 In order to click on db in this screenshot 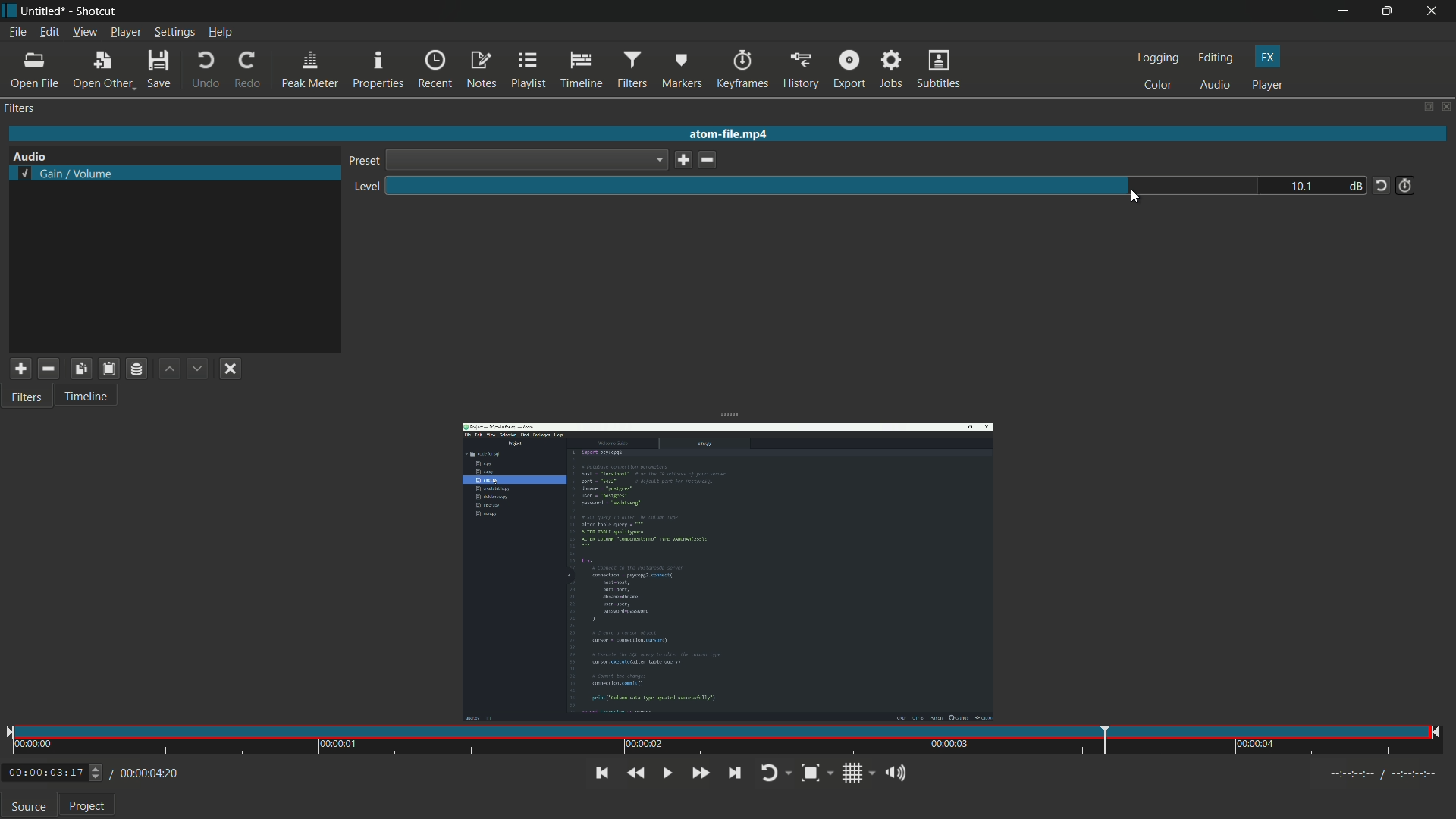, I will do `click(1354, 186)`.